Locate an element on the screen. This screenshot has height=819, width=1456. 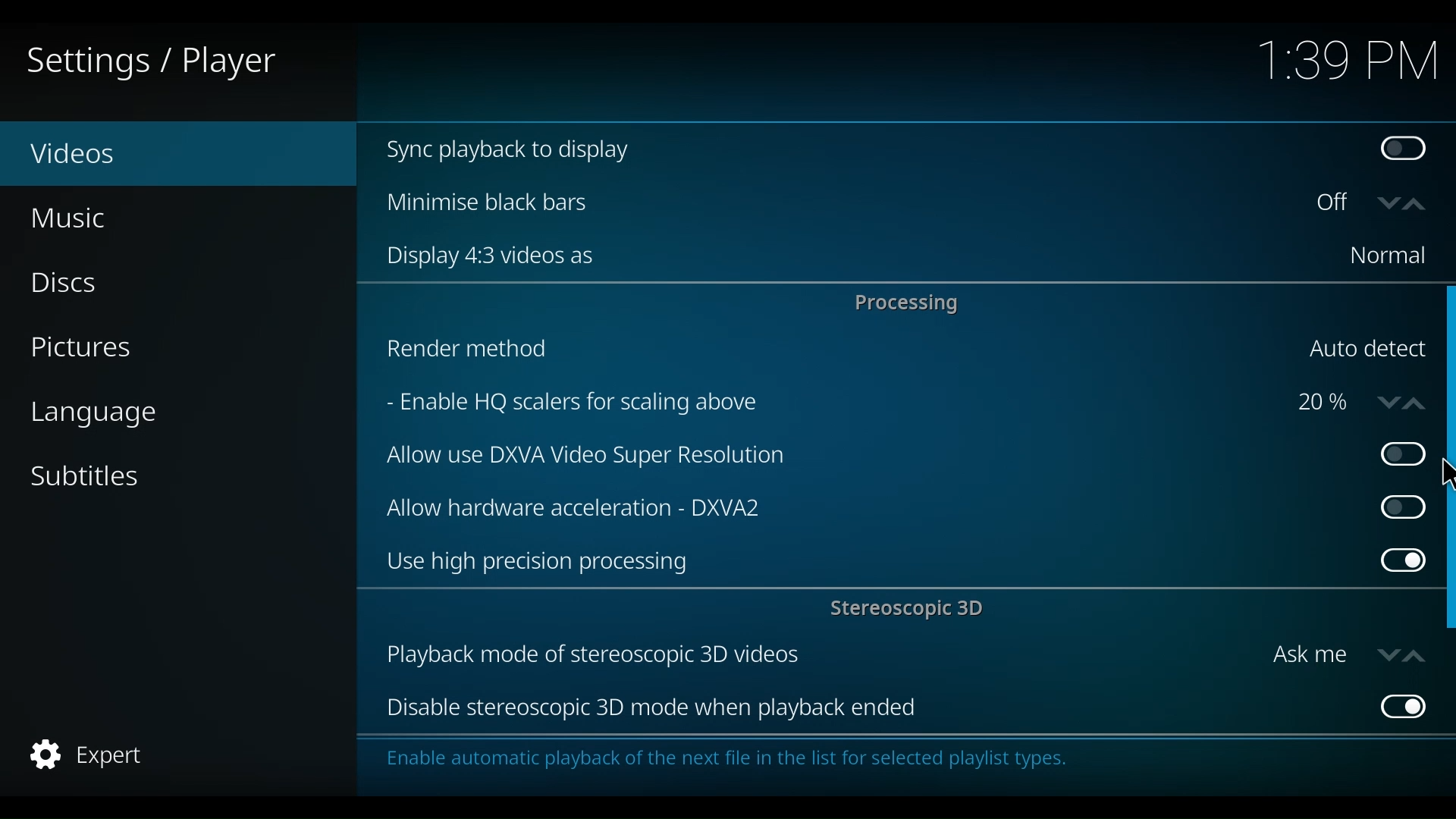
Cursor is located at coordinates (1443, 475).